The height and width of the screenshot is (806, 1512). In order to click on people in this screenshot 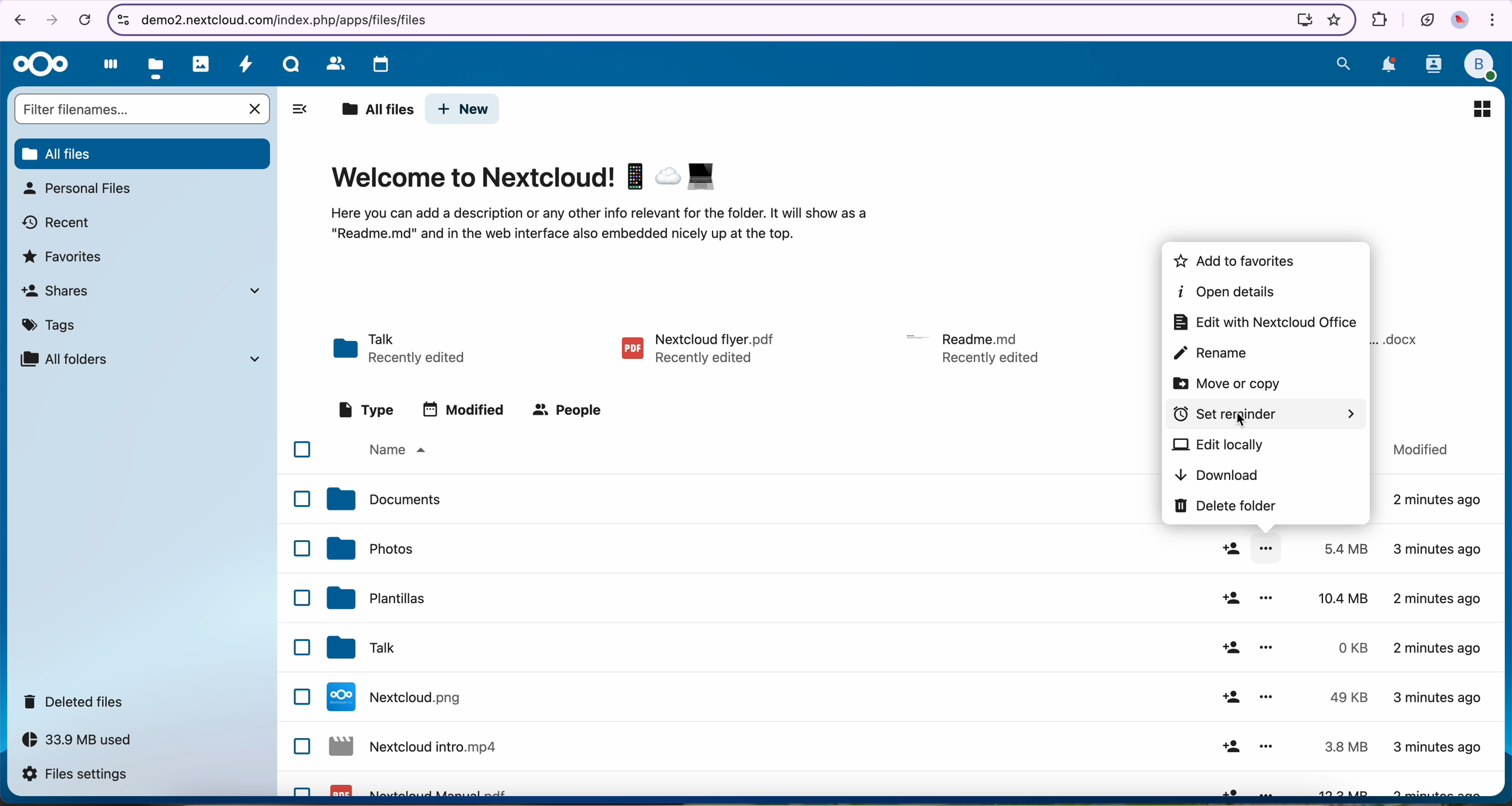, I will do `click(570, 412)`.